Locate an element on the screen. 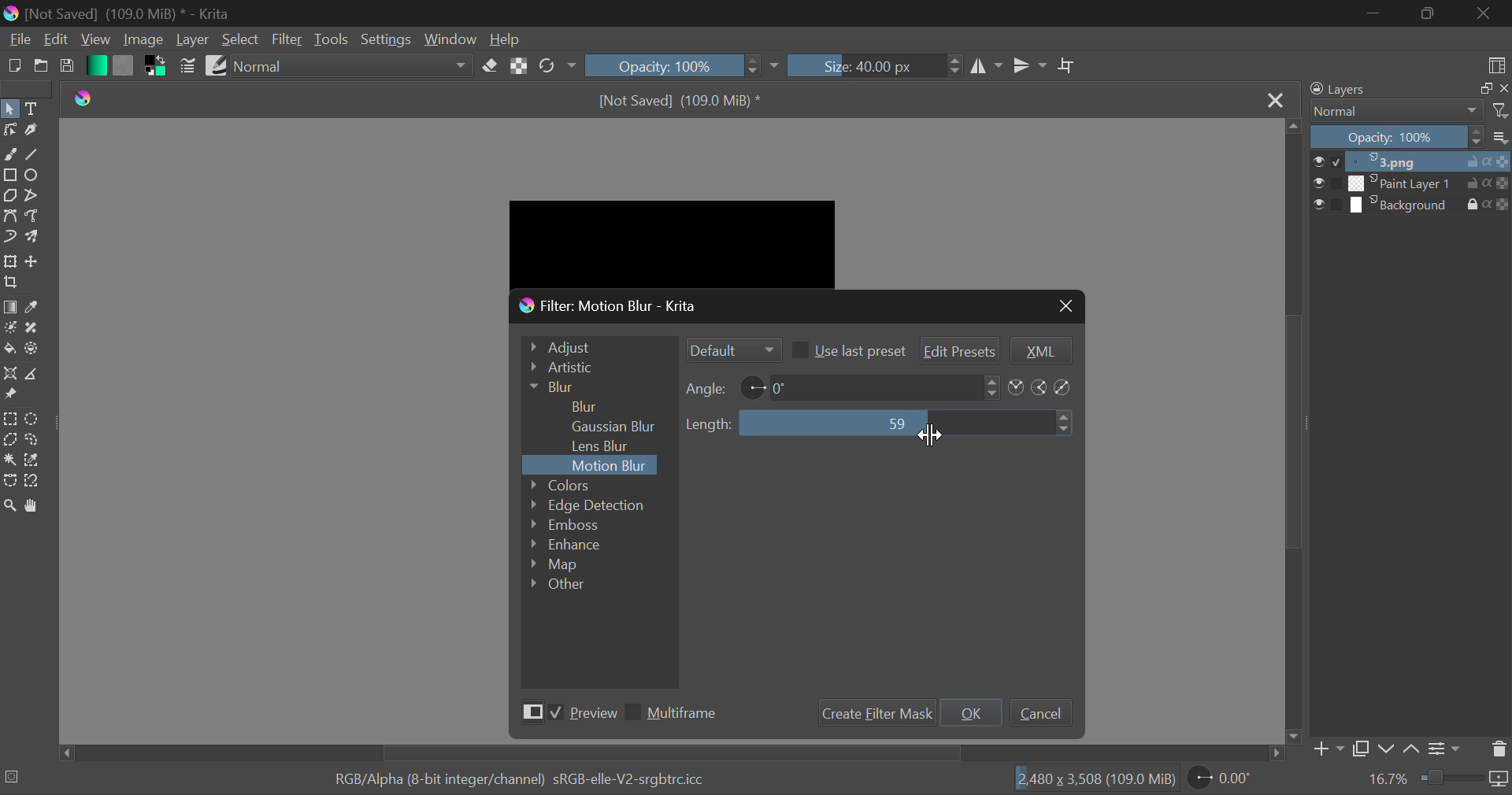  Horizontal Mirror Flip is located at coordinates (1029, 65).